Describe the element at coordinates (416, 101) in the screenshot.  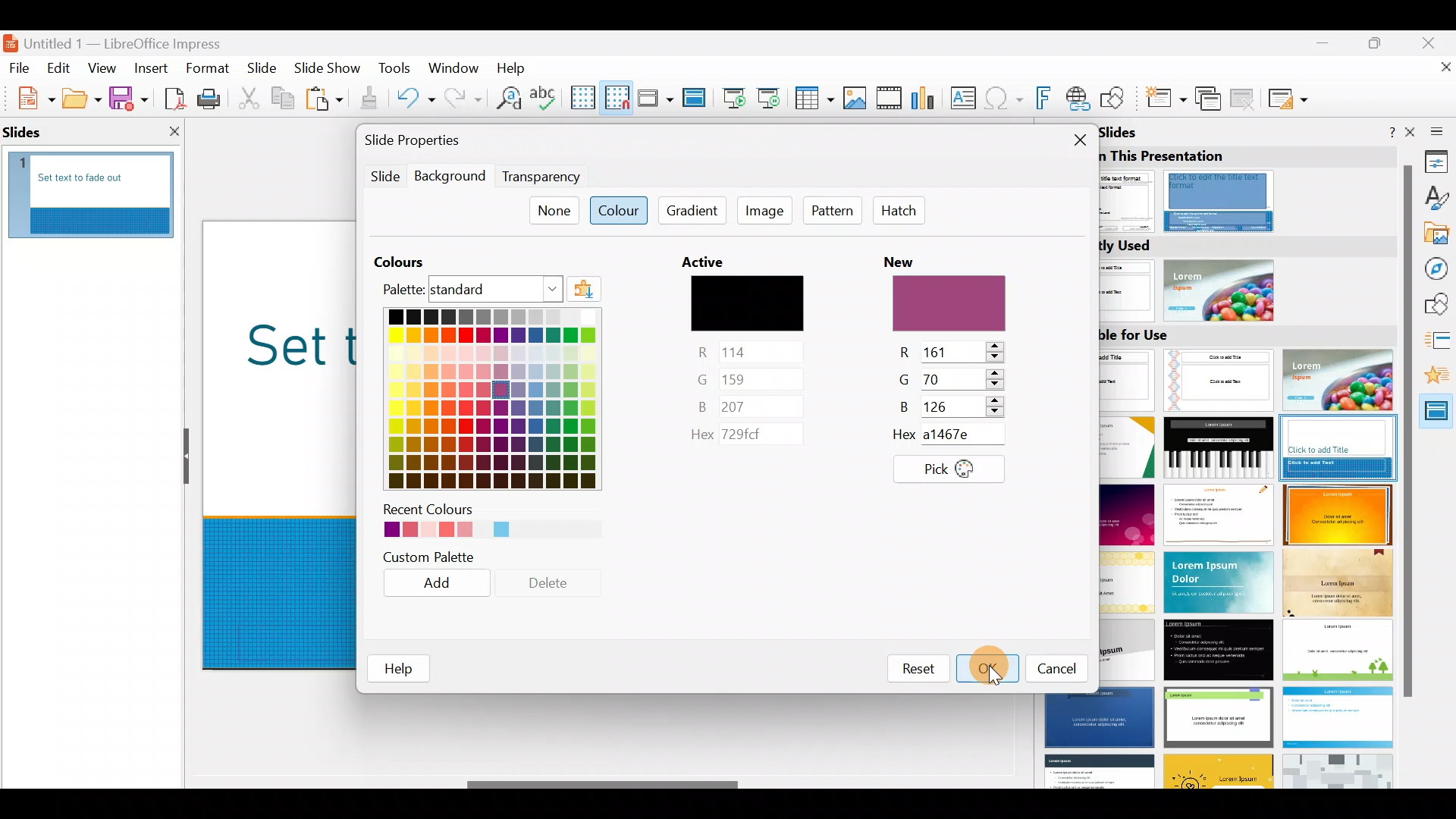
I see `Undo` at that location.